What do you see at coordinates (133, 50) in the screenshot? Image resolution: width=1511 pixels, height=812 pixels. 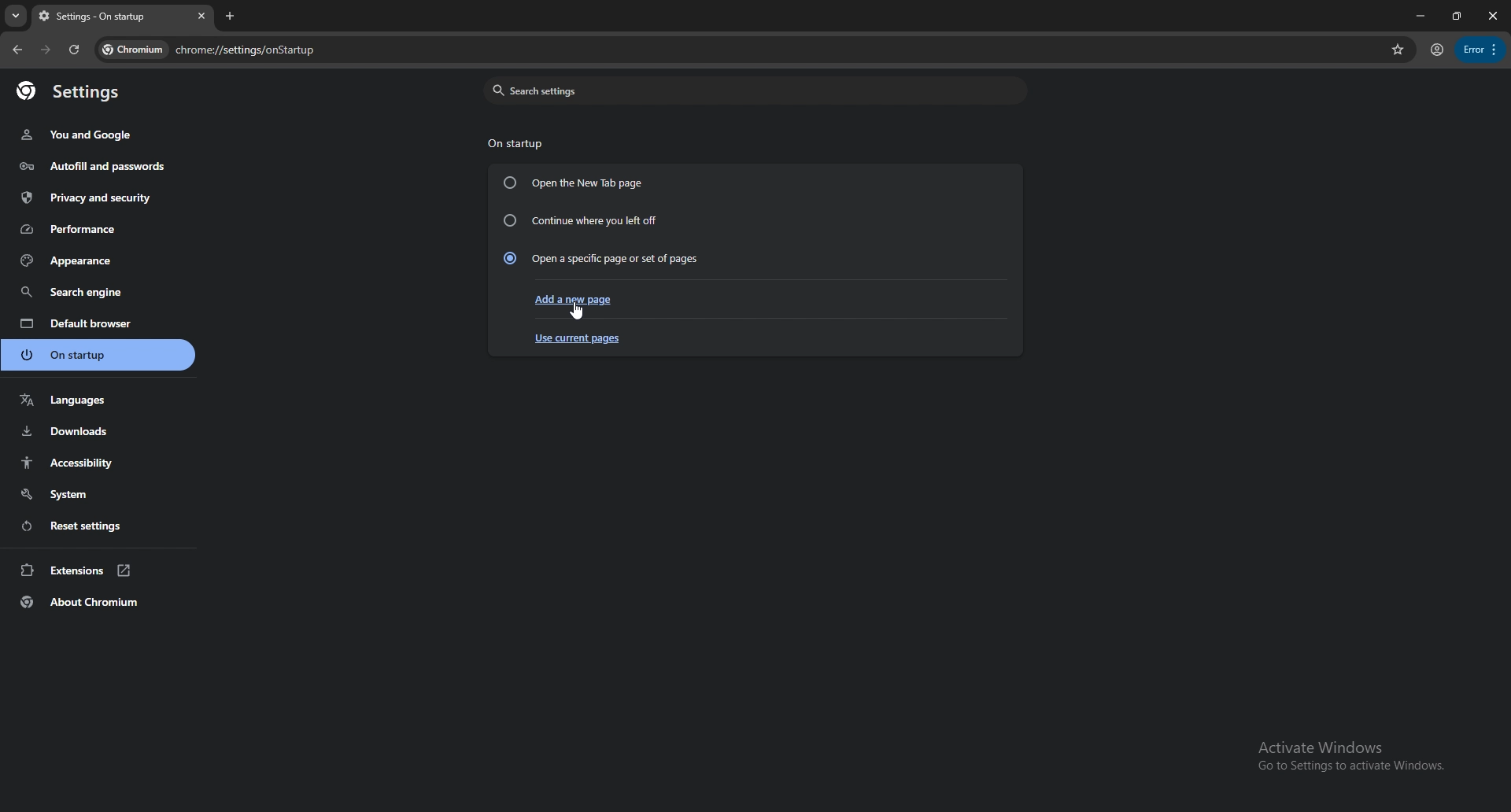 I see `chromium` at bounding box center [133, 50].